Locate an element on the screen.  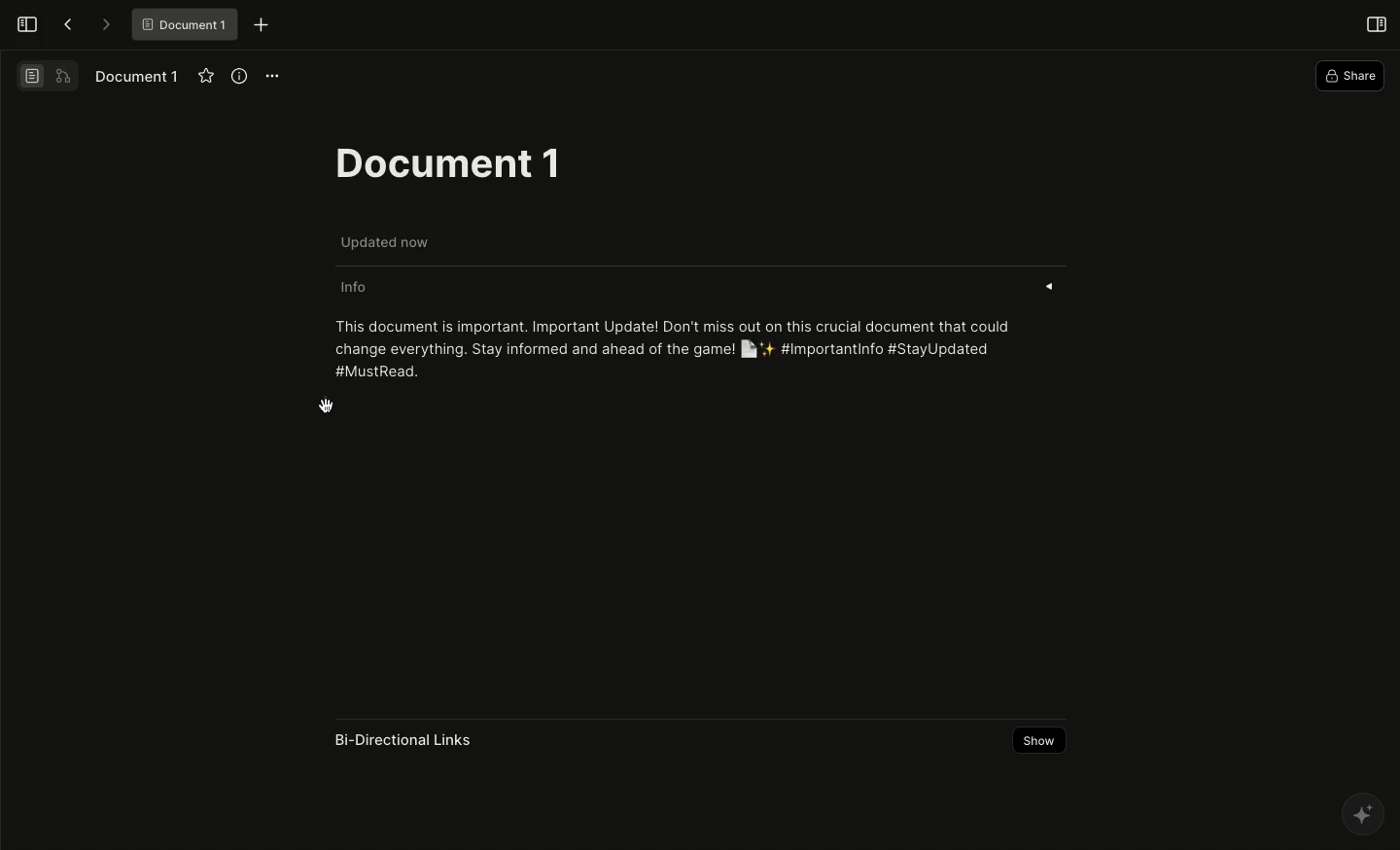
This document is important. Important Update! Don't miss out on this crucial document that could
change everything. Stay informed and ahead of the game! [ly #Importantinfo #StayUpdated
#MustRead. is located at coordinates (672, 348).